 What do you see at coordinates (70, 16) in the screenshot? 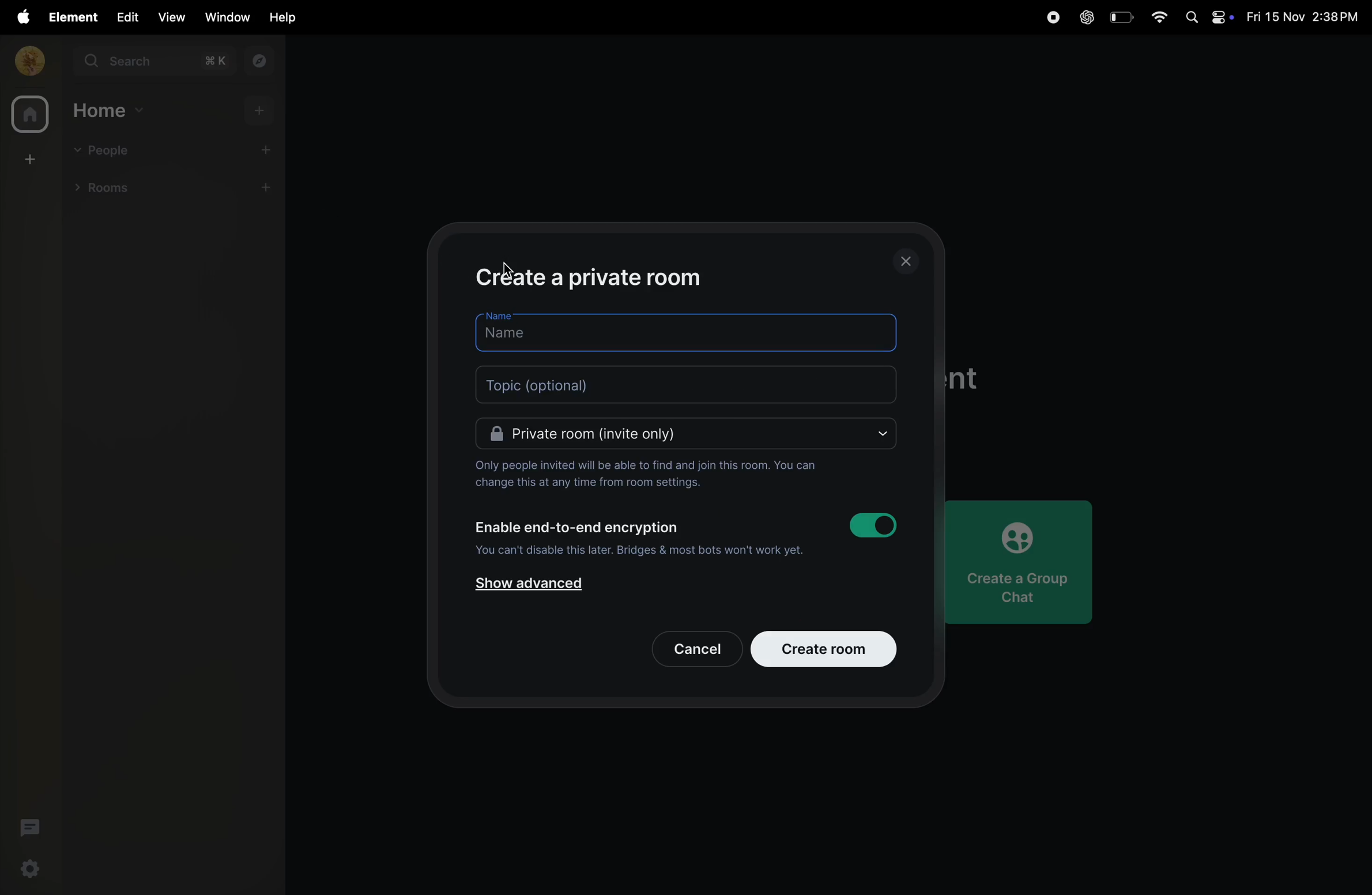
I see `element menu` at bounding box center [70, 16].